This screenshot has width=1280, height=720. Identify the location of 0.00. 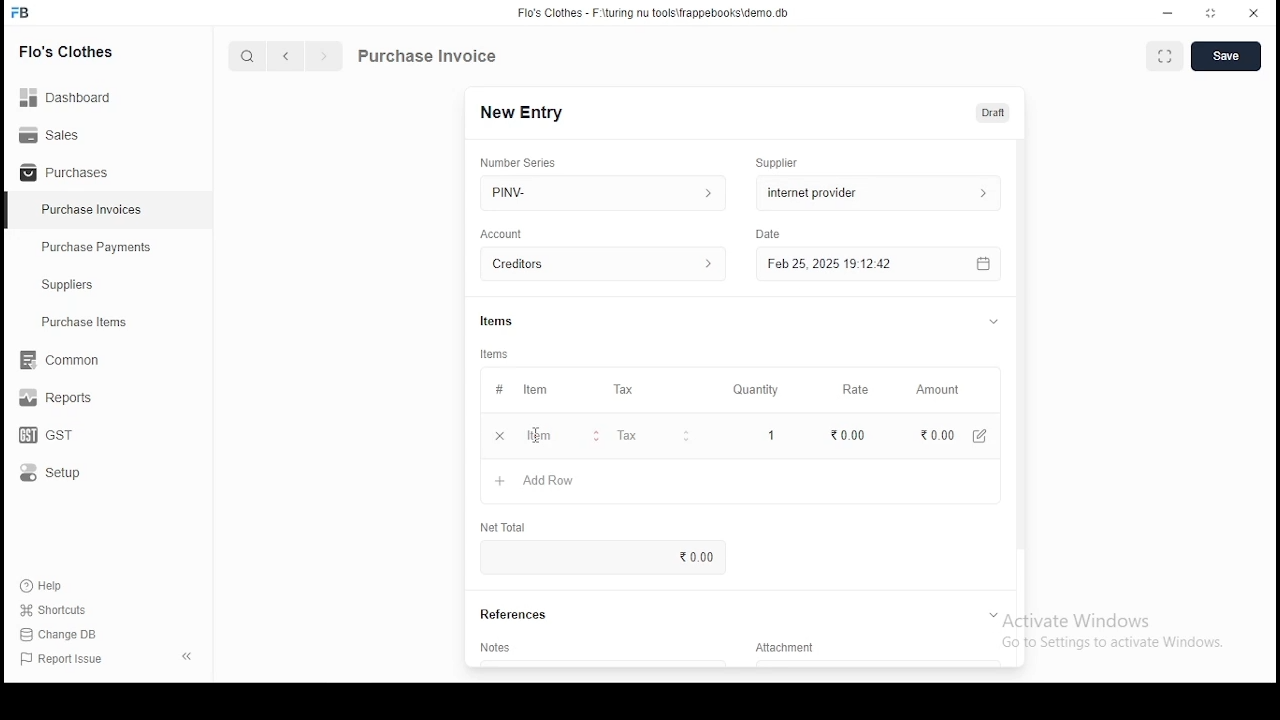
(933, 435).